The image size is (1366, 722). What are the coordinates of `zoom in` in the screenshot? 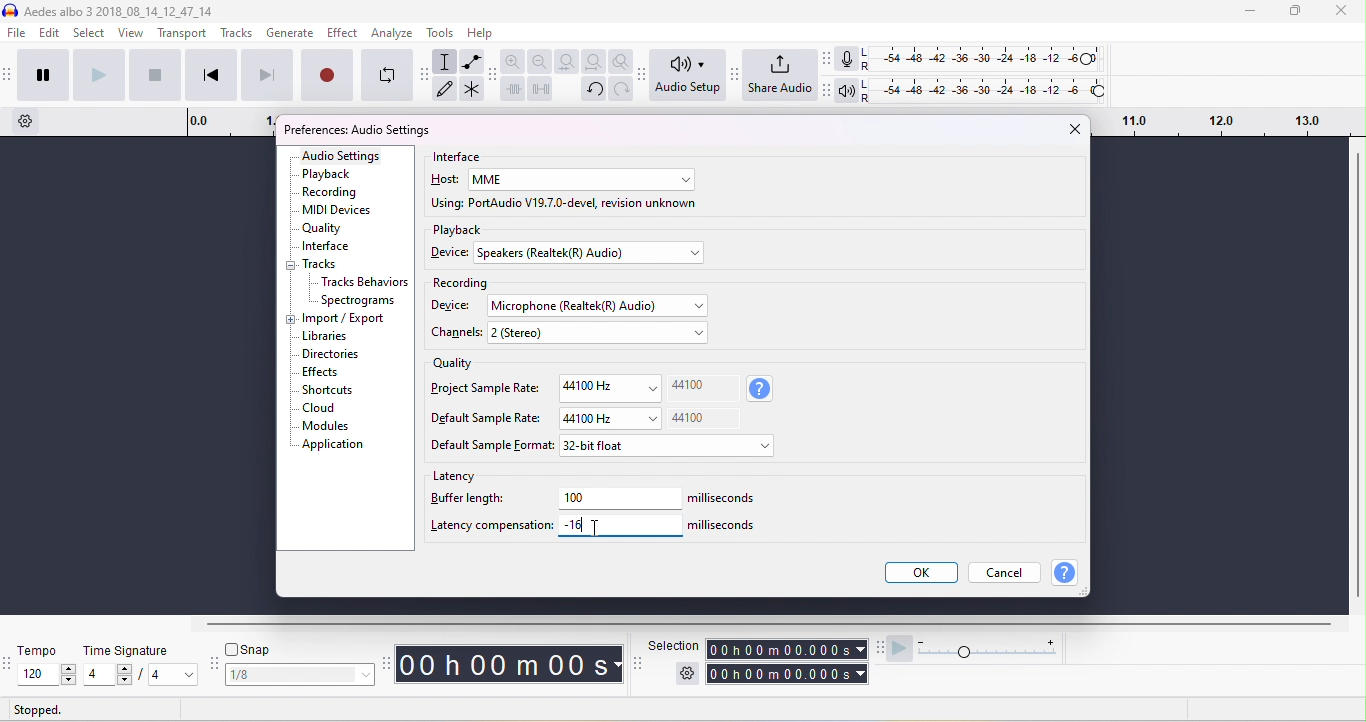 It's located at (513, 61).